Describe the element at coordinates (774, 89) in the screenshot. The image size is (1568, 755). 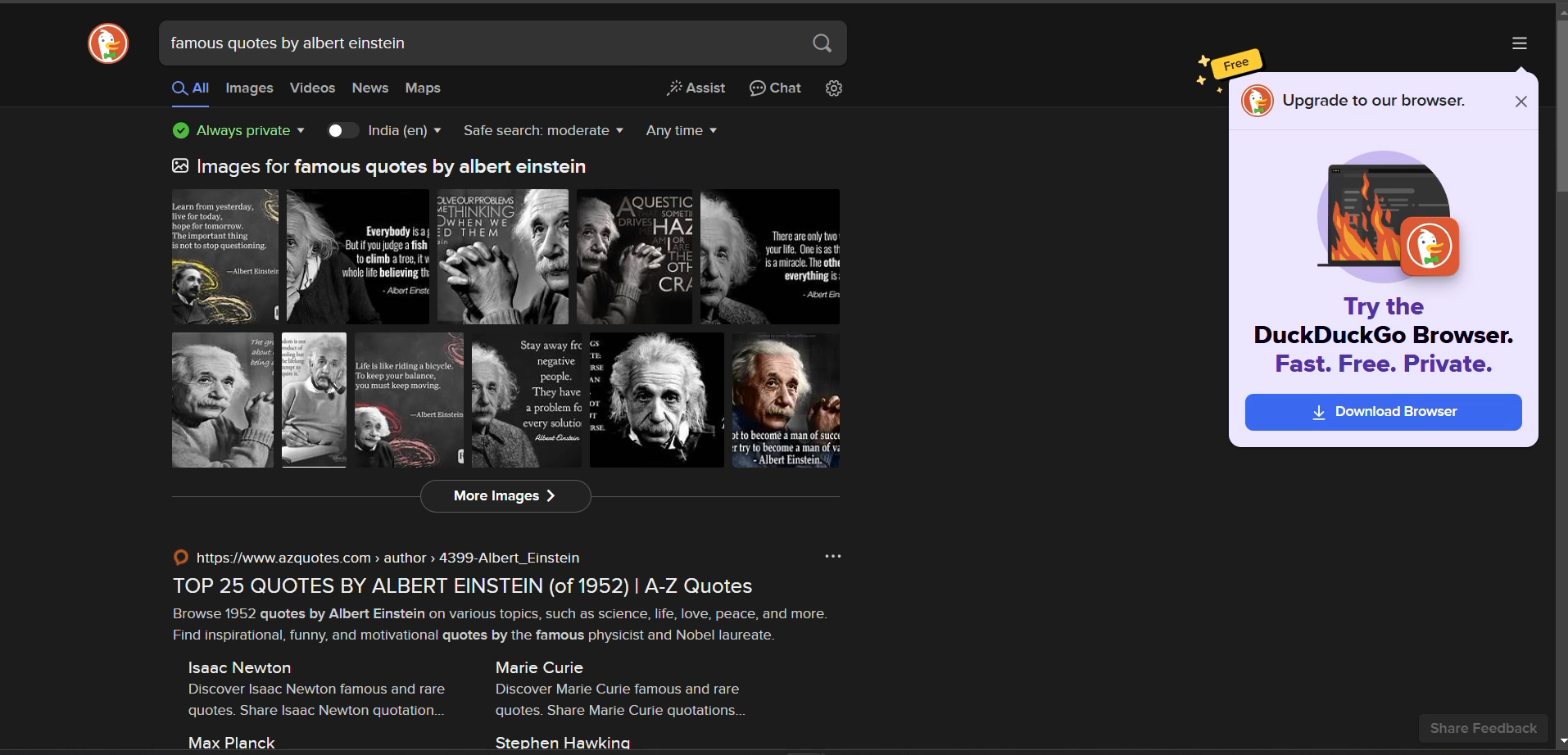
I see `chat` at that location.